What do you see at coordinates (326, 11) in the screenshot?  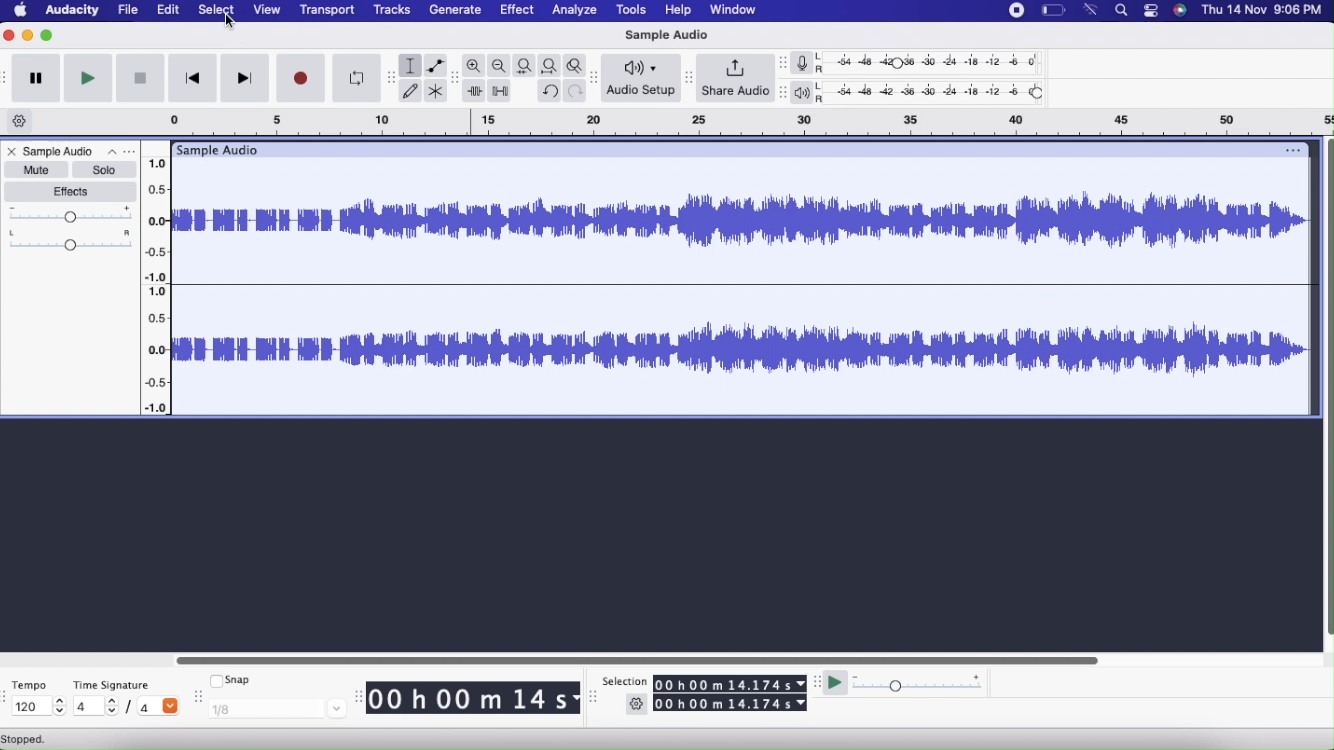 I see `Transport` at bounding box center [326, 11].